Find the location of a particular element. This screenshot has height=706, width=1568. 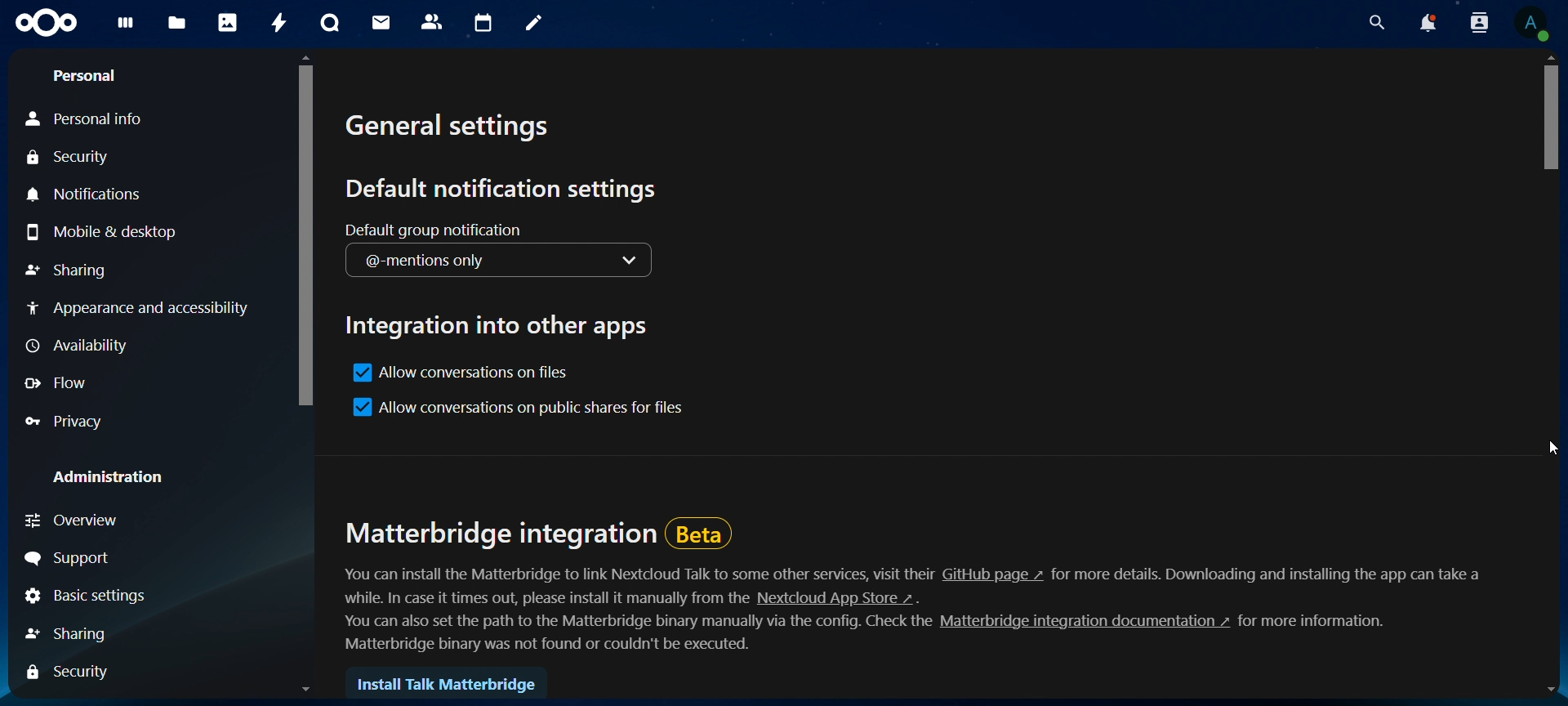

files is located at coordinates (178, 23).